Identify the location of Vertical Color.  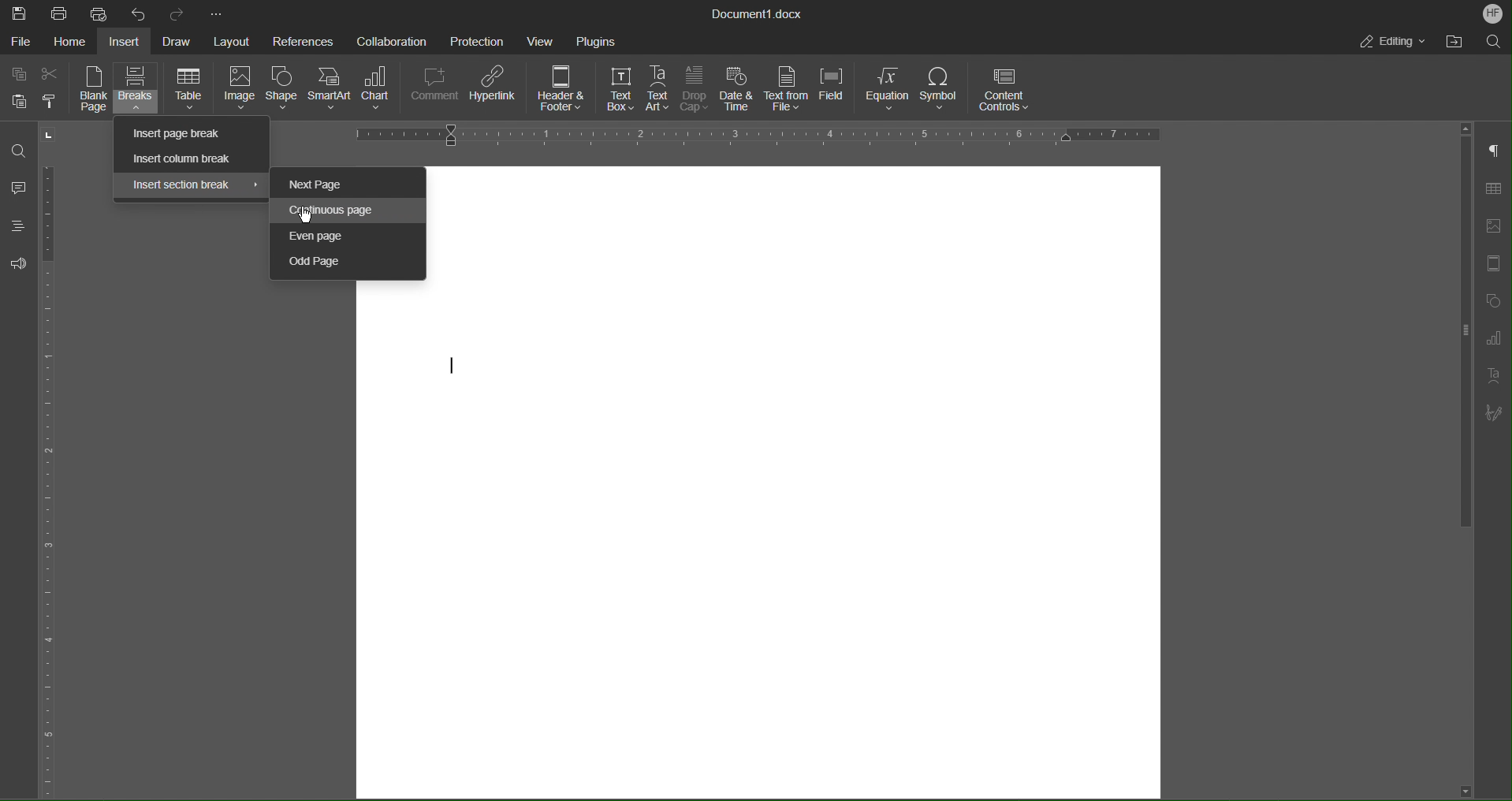
(47, 483).